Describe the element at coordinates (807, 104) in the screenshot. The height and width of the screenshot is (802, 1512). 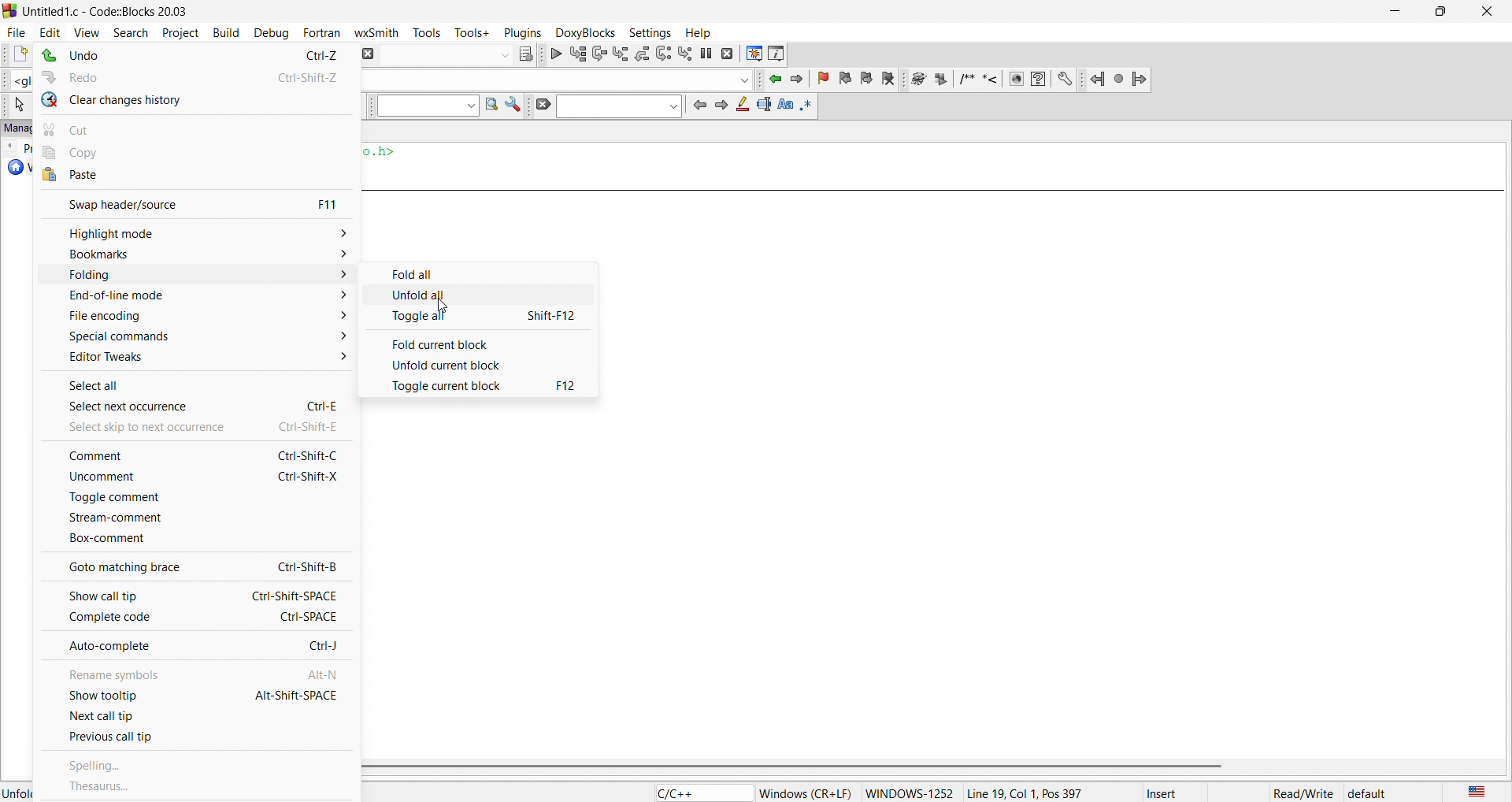
I see `use regex` at that location.